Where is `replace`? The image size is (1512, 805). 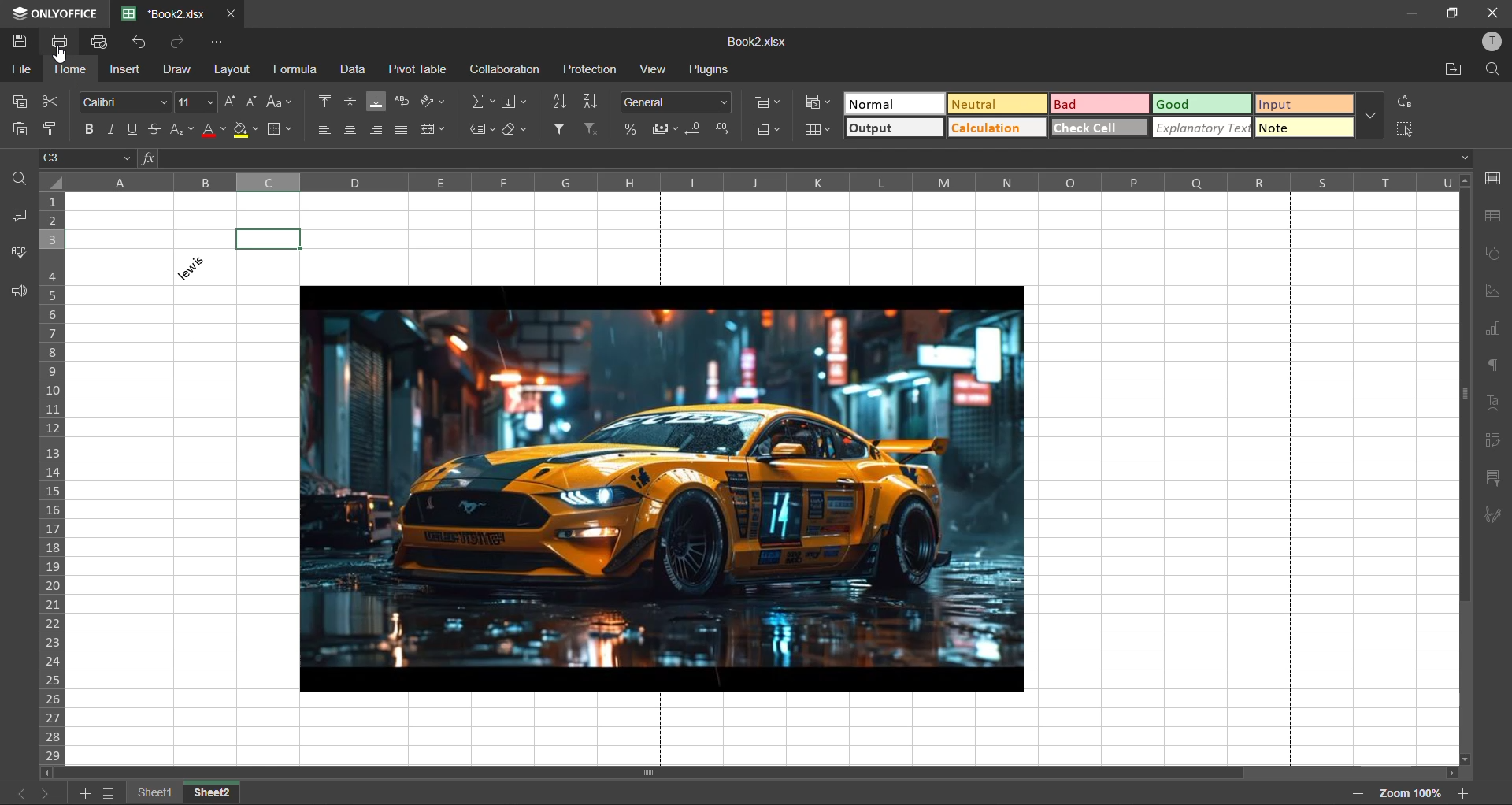 replace is located at coordinates (1404, 101).